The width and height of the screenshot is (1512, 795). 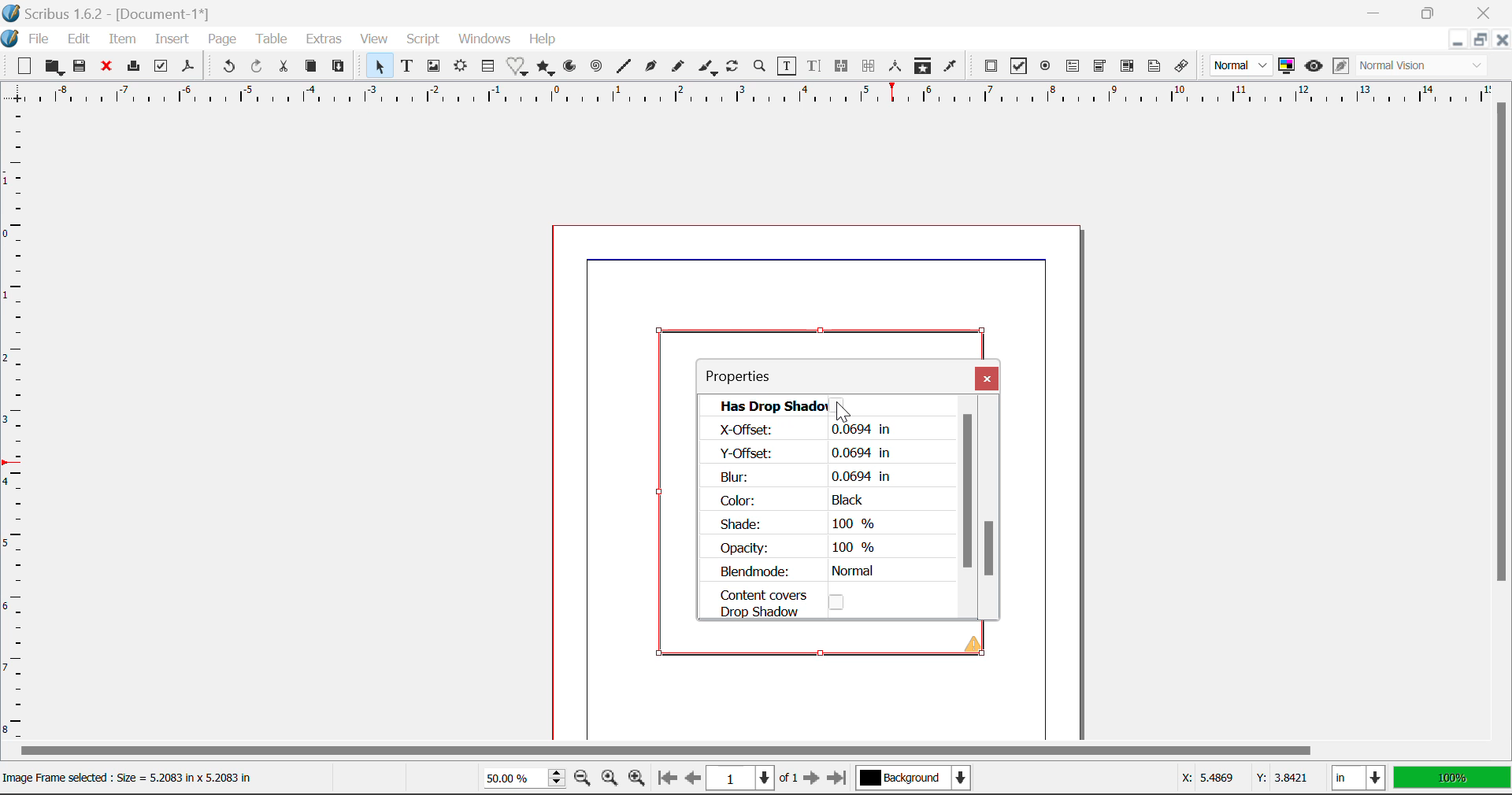 I want to click on Scribus 1.6.2 - [Document-1*], so click(x=119, y=15).